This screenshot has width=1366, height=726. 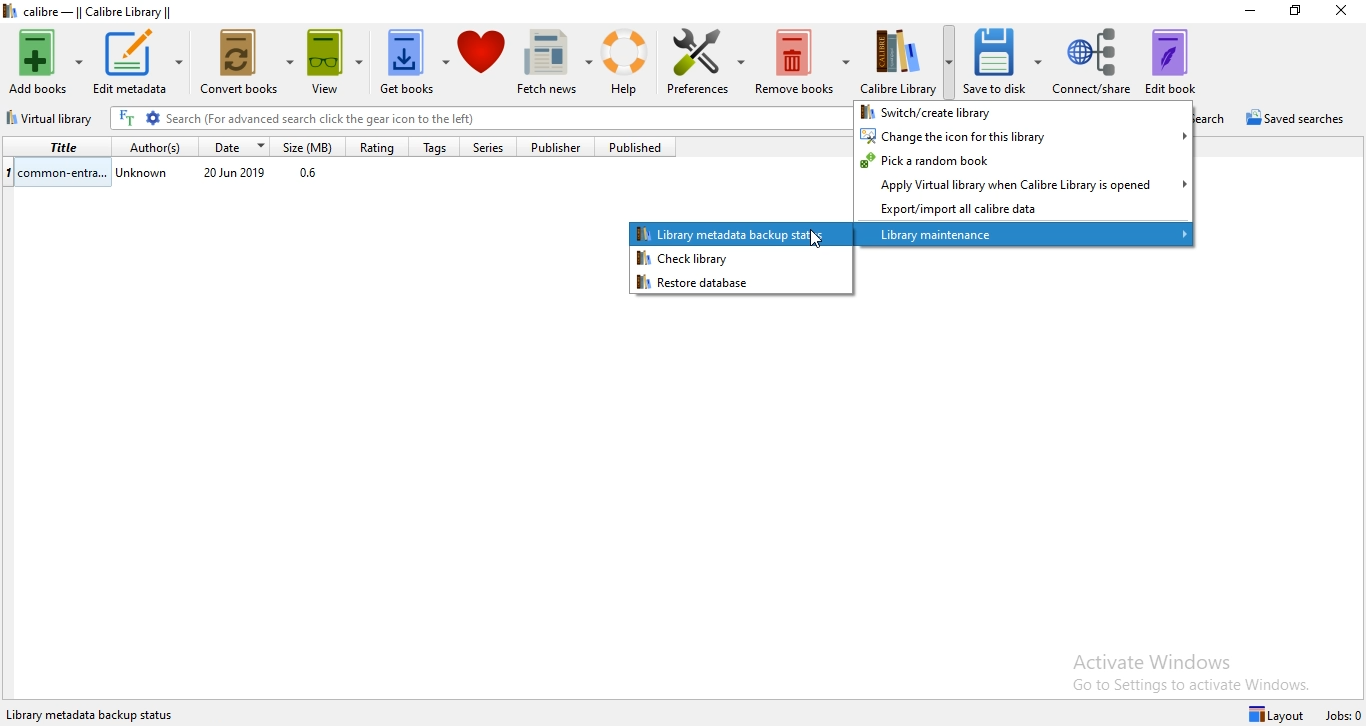 What do you see at coordinates (641, 147) in the screenshot?
I see `Published` at bounding box center [641, 147].